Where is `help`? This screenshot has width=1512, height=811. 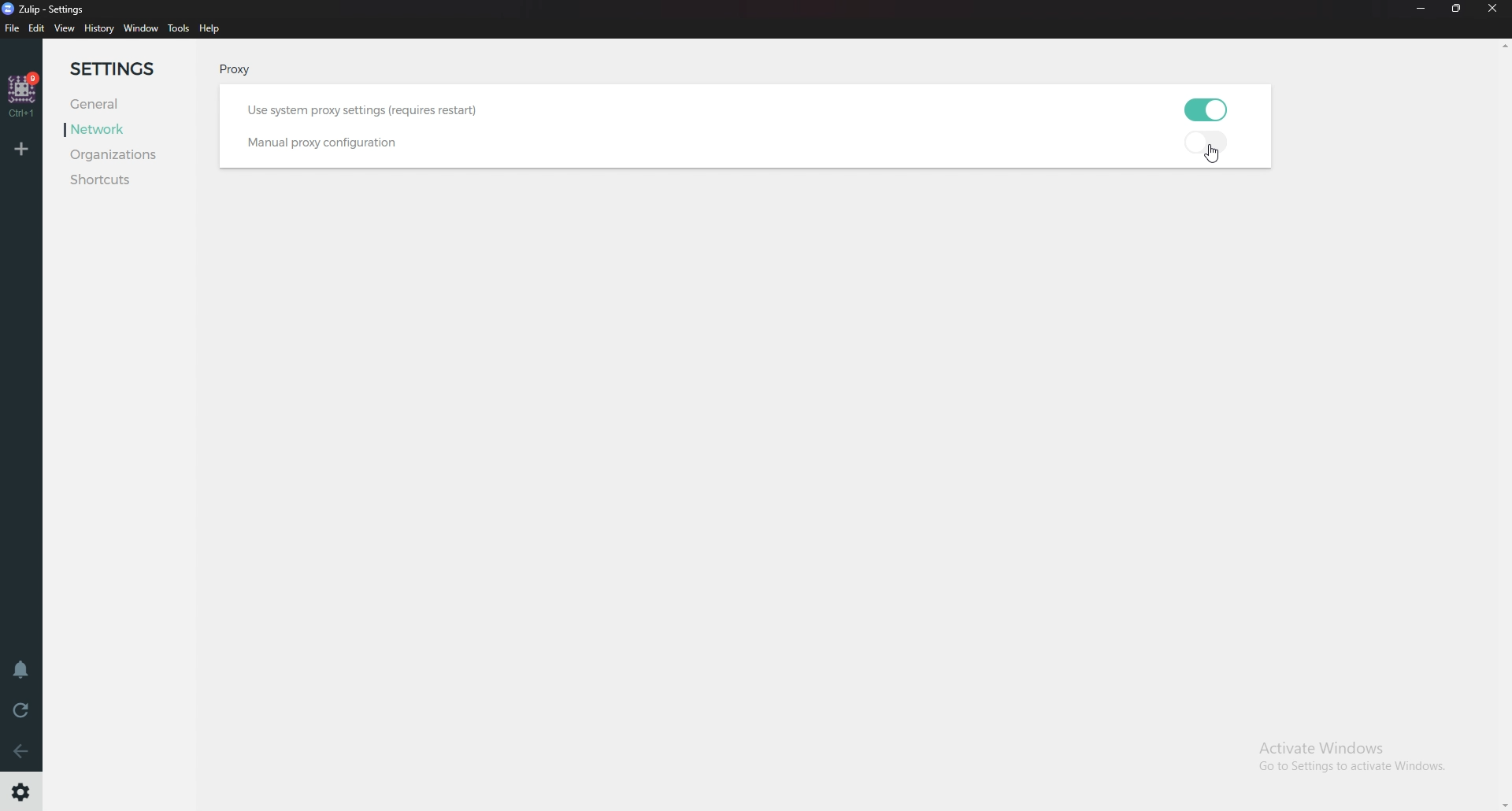 help is located at coordinates (209, 29).